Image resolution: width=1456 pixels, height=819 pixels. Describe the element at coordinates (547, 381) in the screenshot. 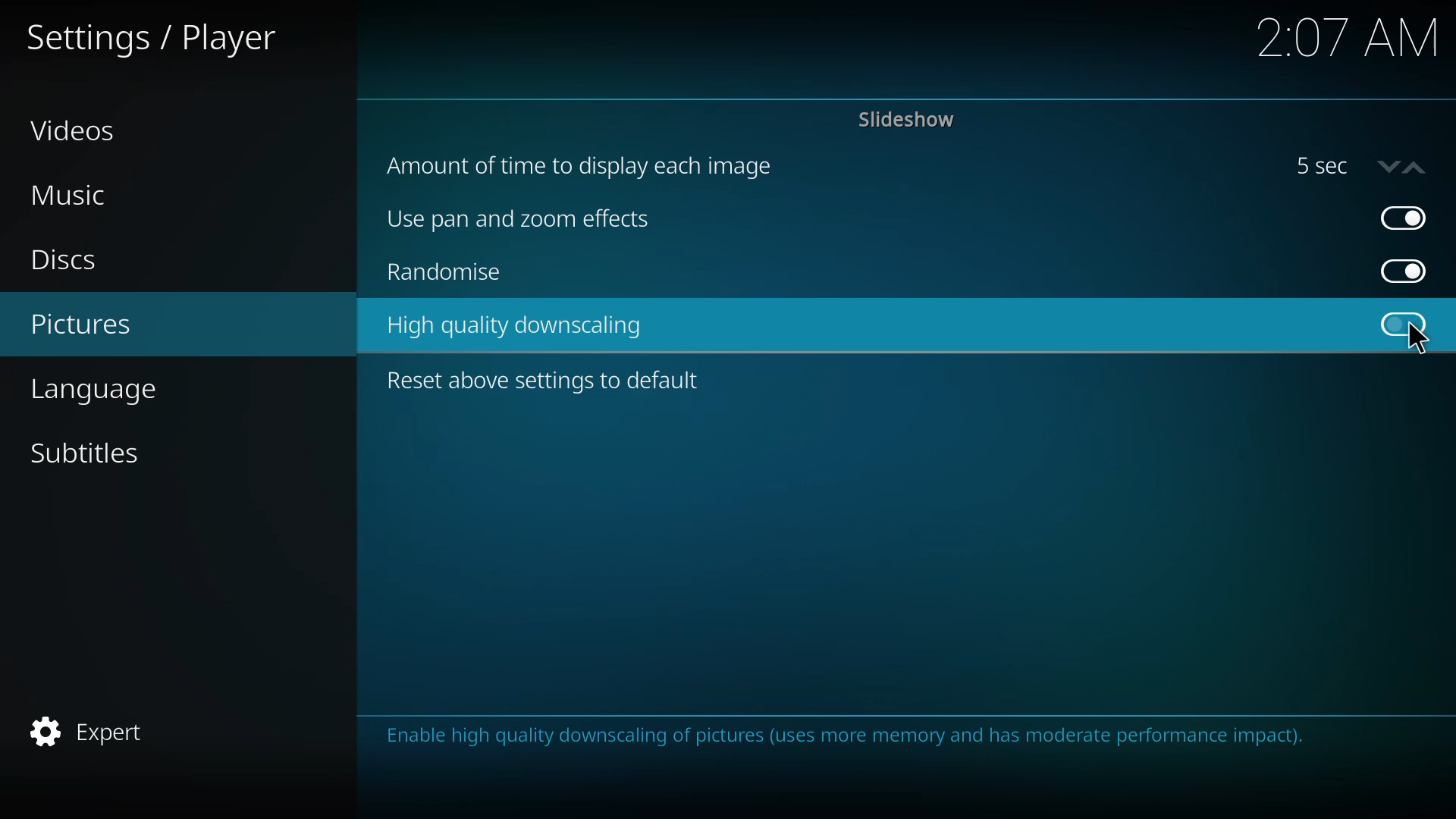

I see `reset above settings to default` at that location.